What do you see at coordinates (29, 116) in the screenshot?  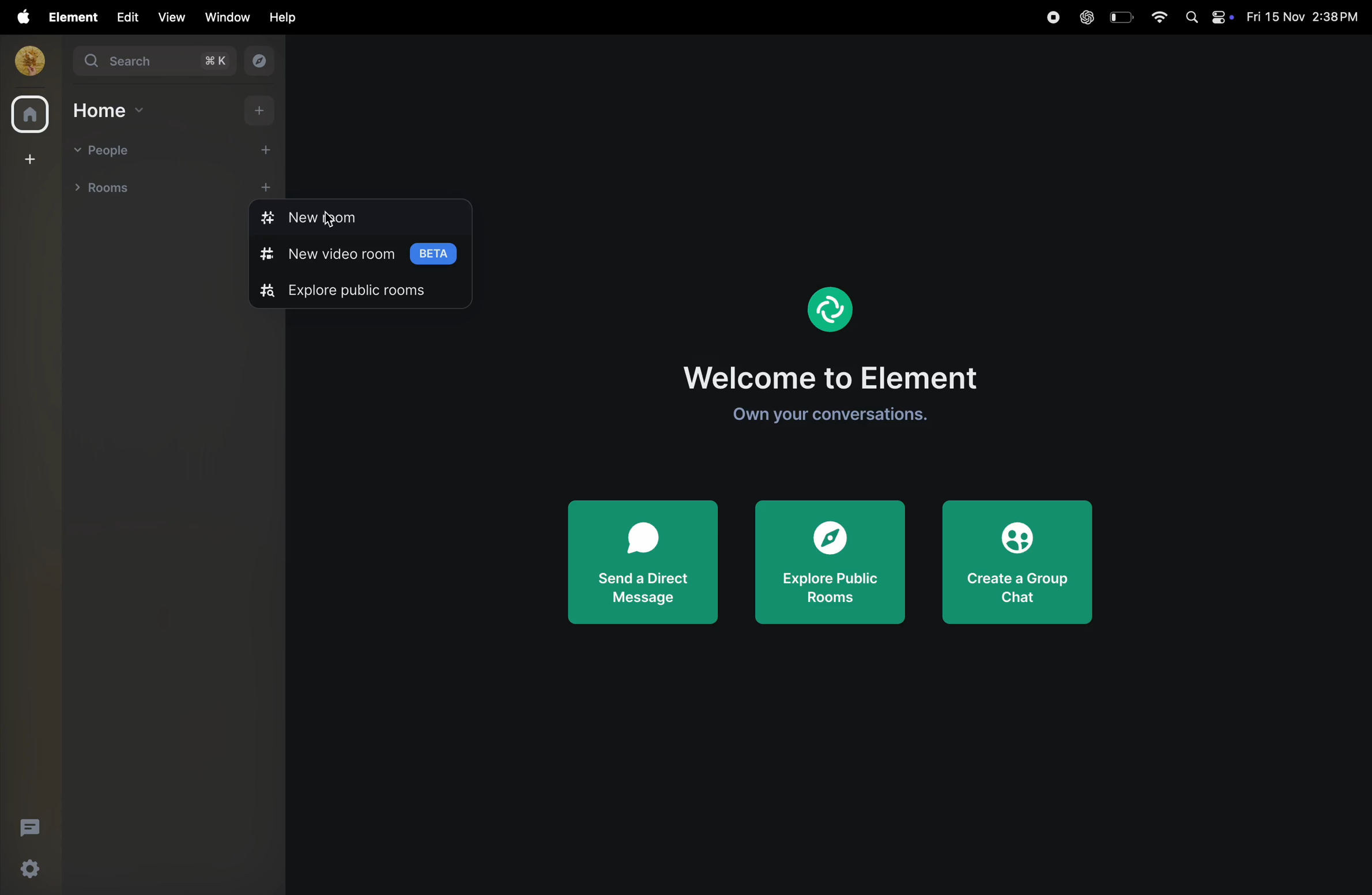 I see `home ` at bounding box center [29, 116].